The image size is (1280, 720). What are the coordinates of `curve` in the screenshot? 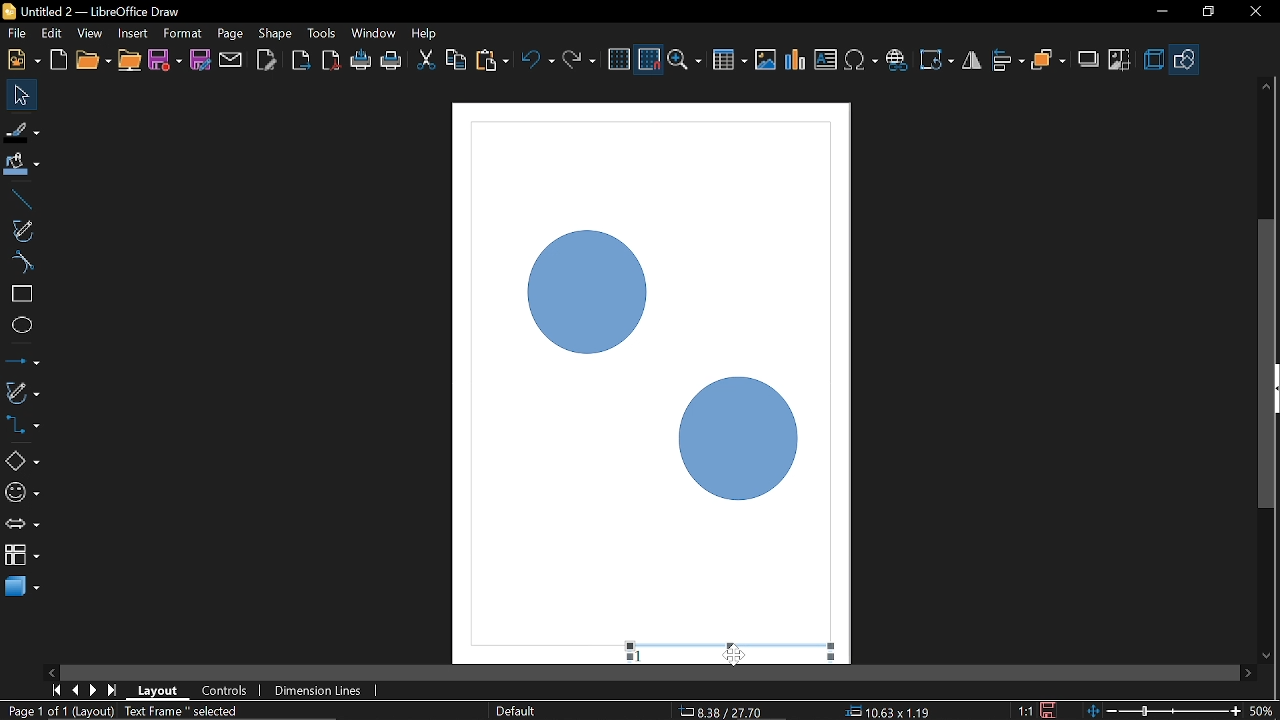 It's located at (20, 262).